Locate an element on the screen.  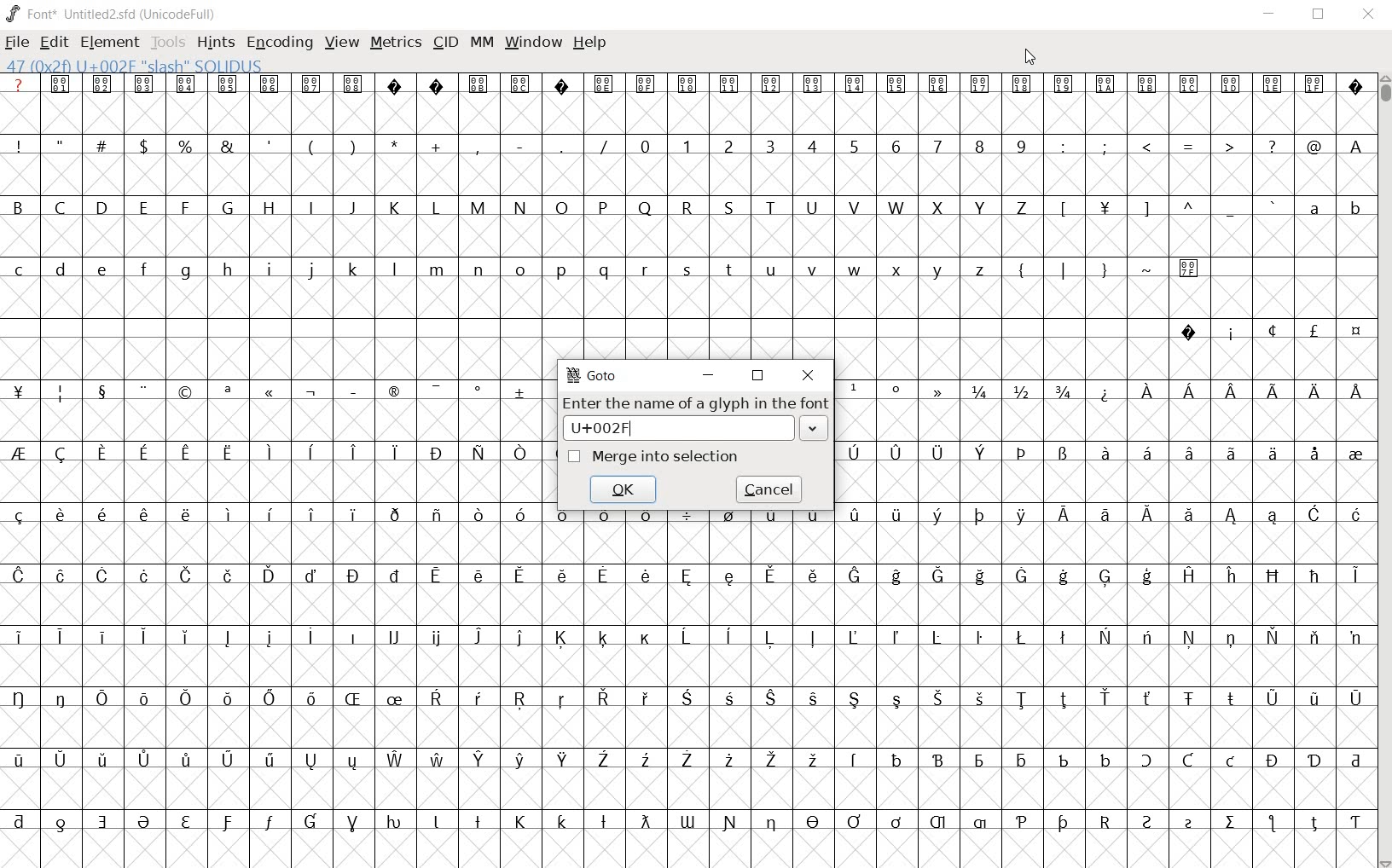
symbols is located at coordinates (901, 390).